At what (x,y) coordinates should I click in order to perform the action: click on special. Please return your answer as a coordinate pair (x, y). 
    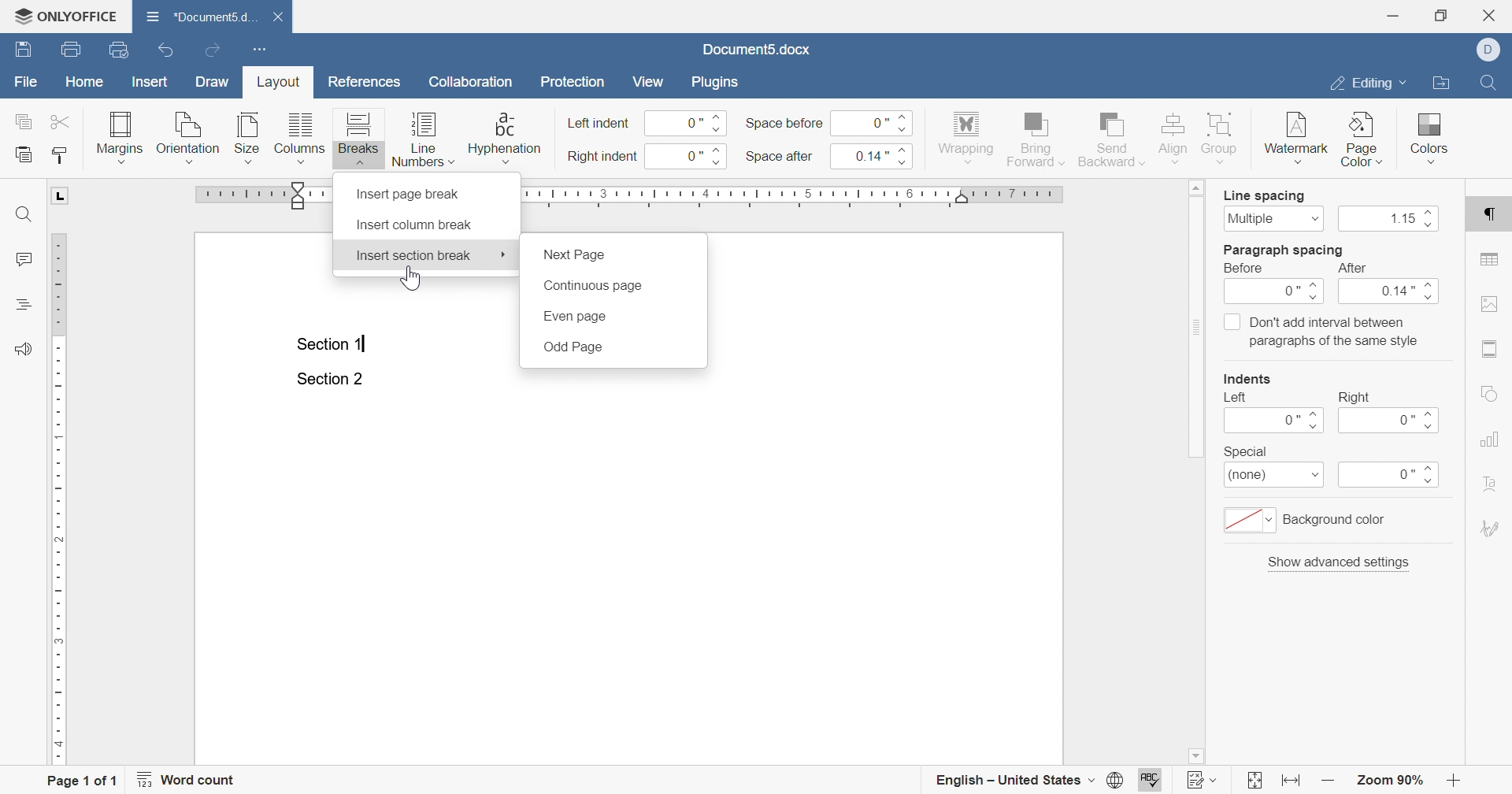
    Looking at the image, I should click on (1245, 451).